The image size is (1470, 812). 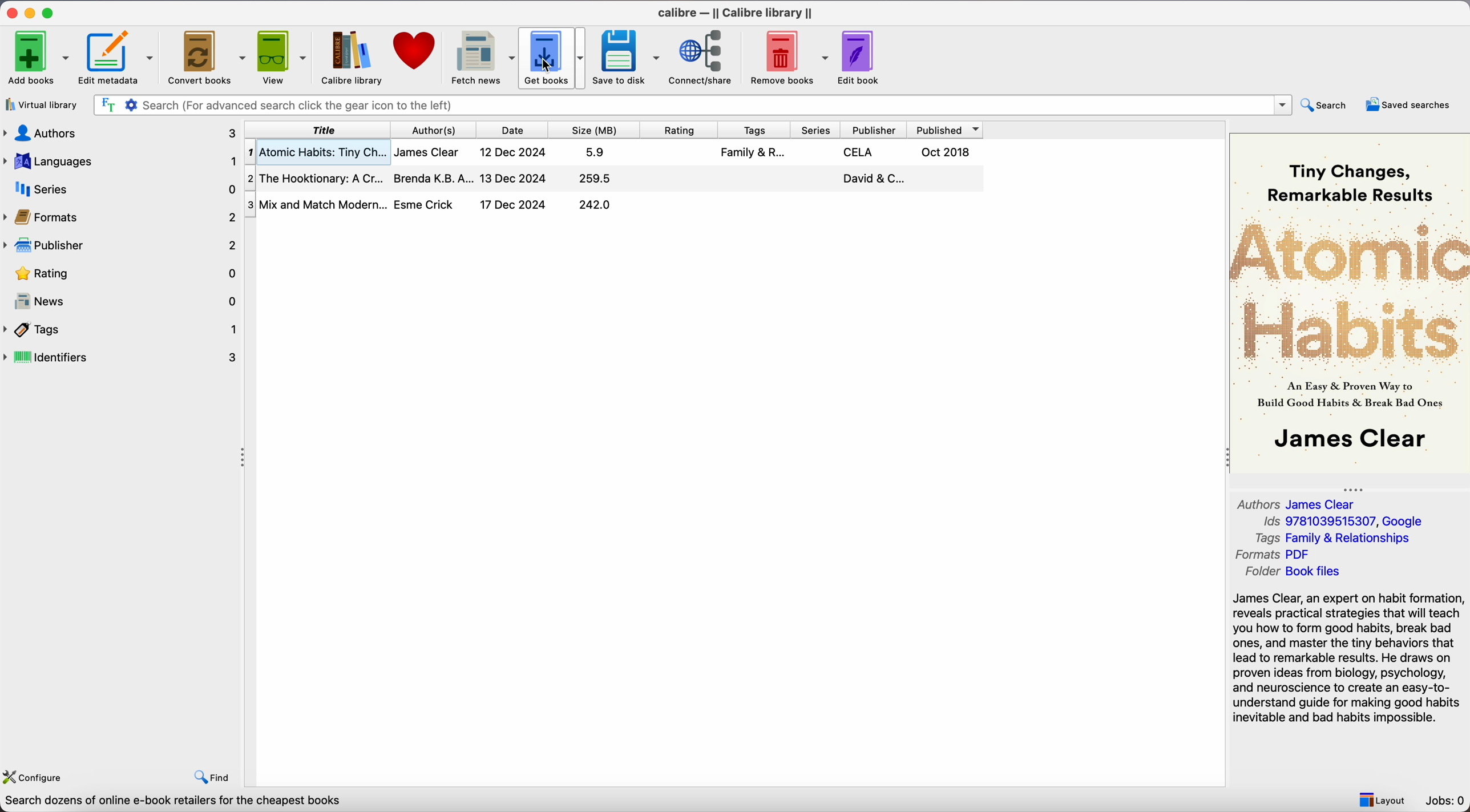 I want to click on Folder Book files, so click(x=1289, y=573).